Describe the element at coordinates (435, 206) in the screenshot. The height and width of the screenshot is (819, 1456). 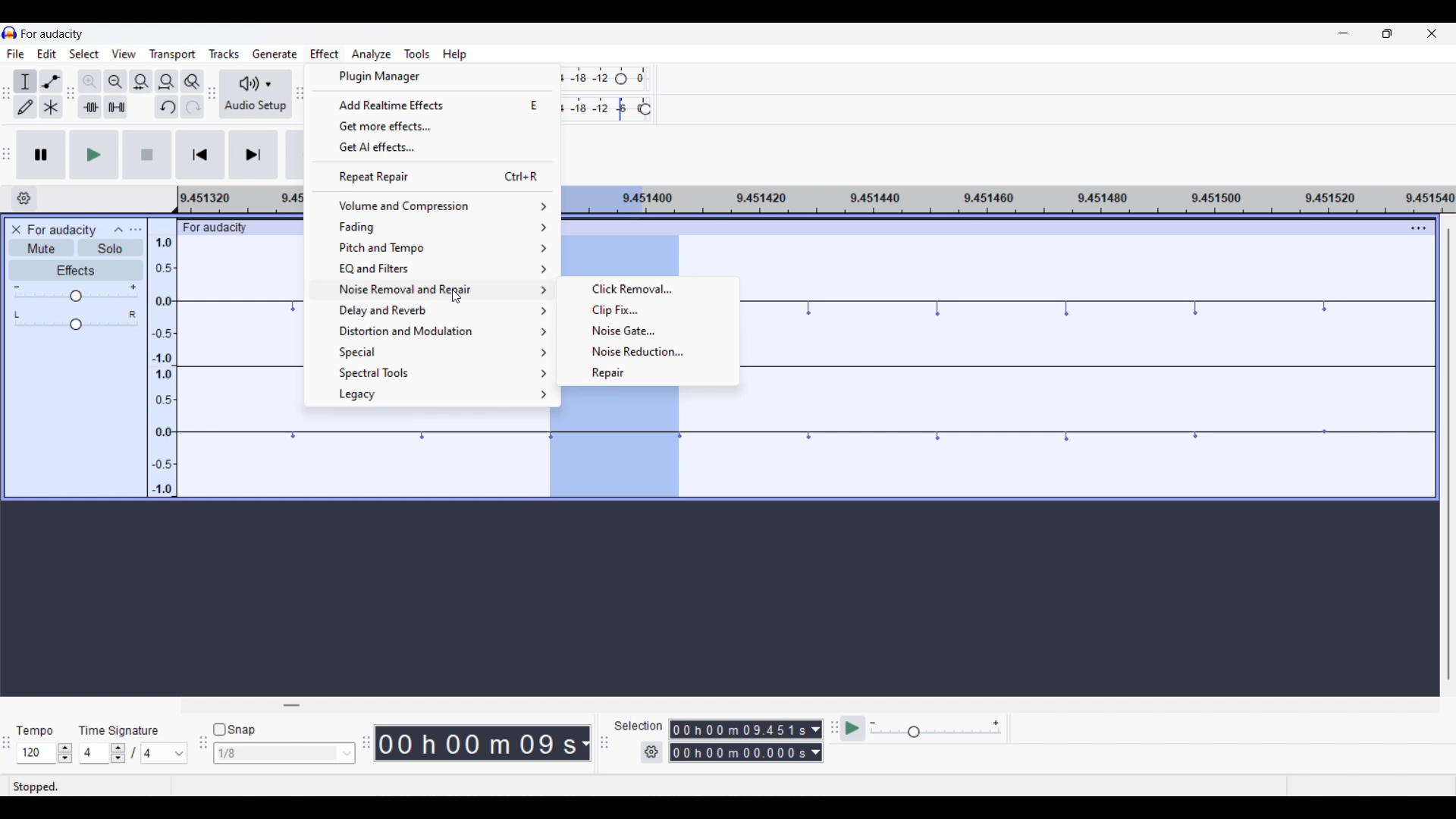
I see `Volume and compression options` at that location.